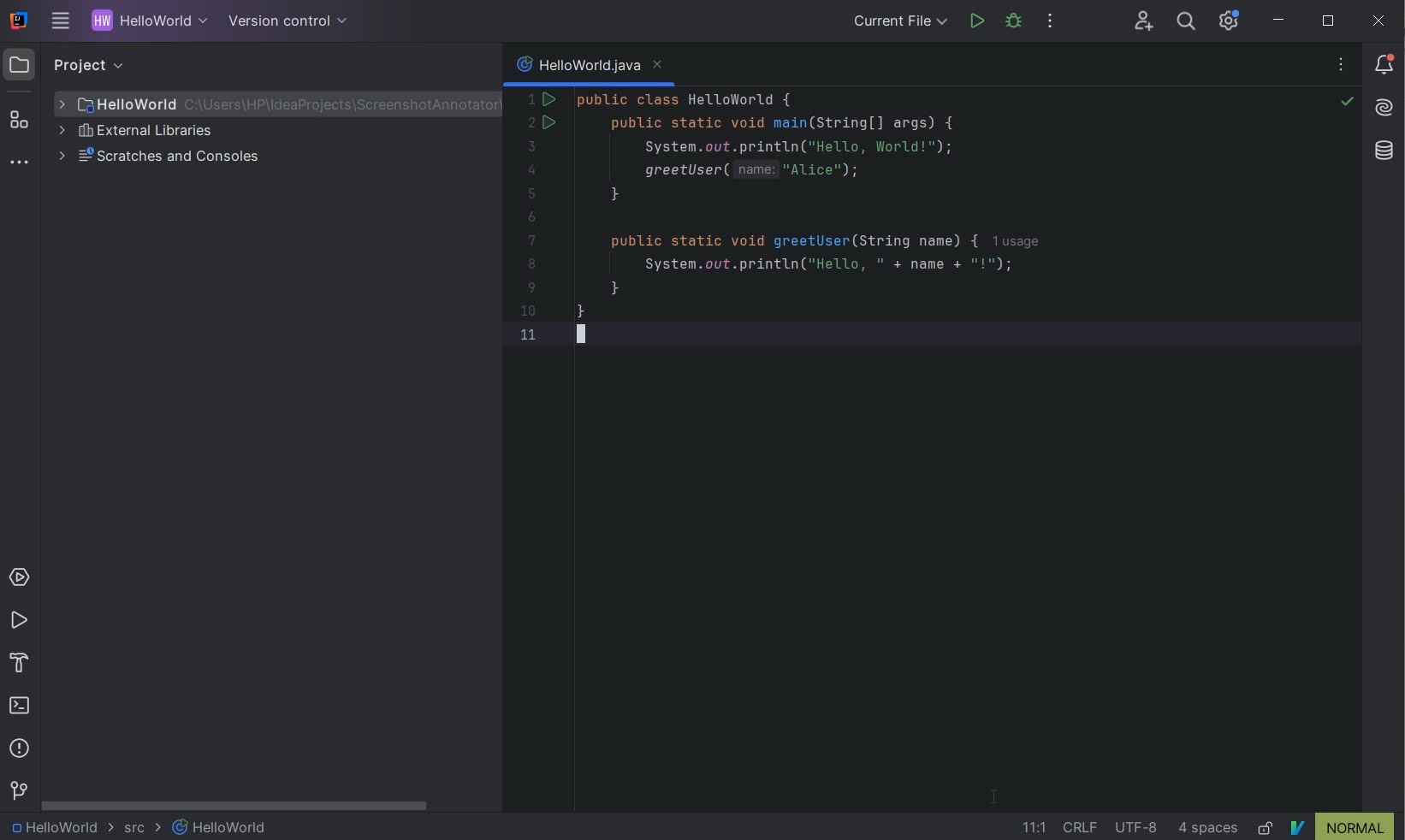 This screenshot has height=840, width=1405. What do you see at coordinates (21, 707) in the screenshot?
I see `TERMINAL` at bounding box center [21, 707].